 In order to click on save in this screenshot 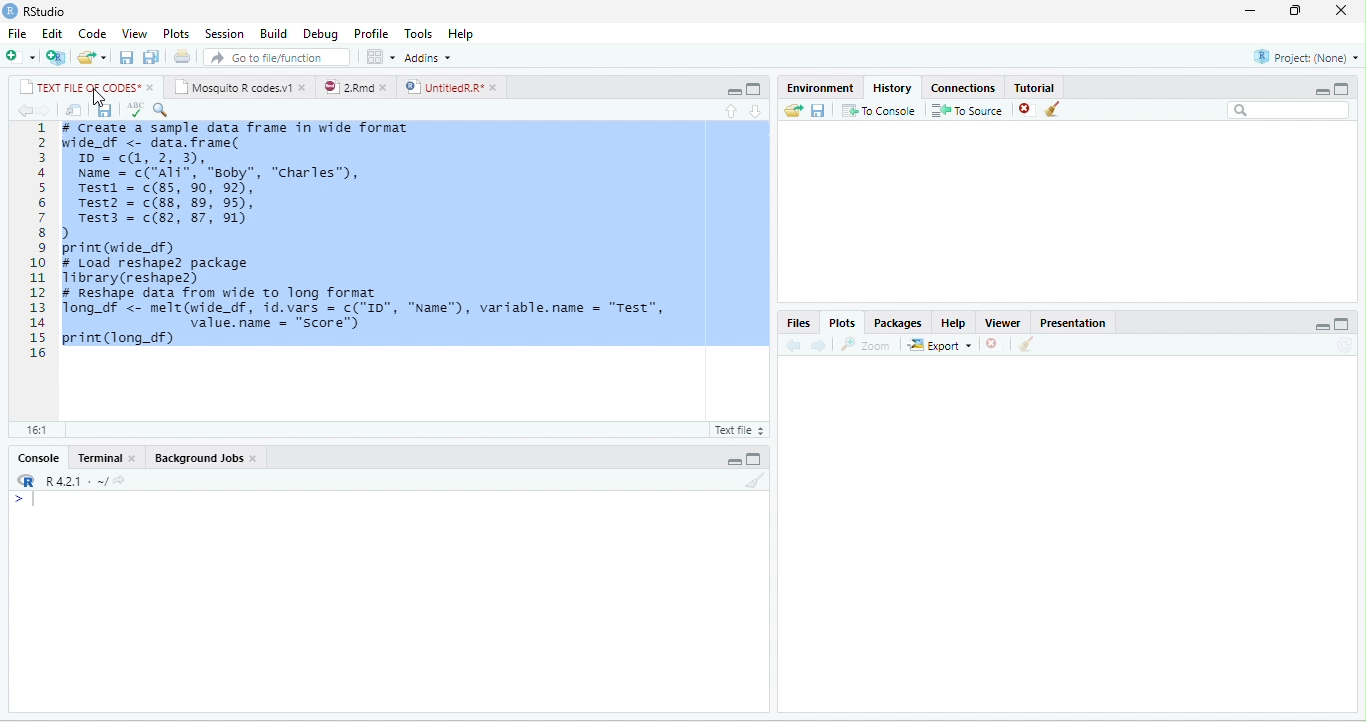, I will do `click(819, 109)`.